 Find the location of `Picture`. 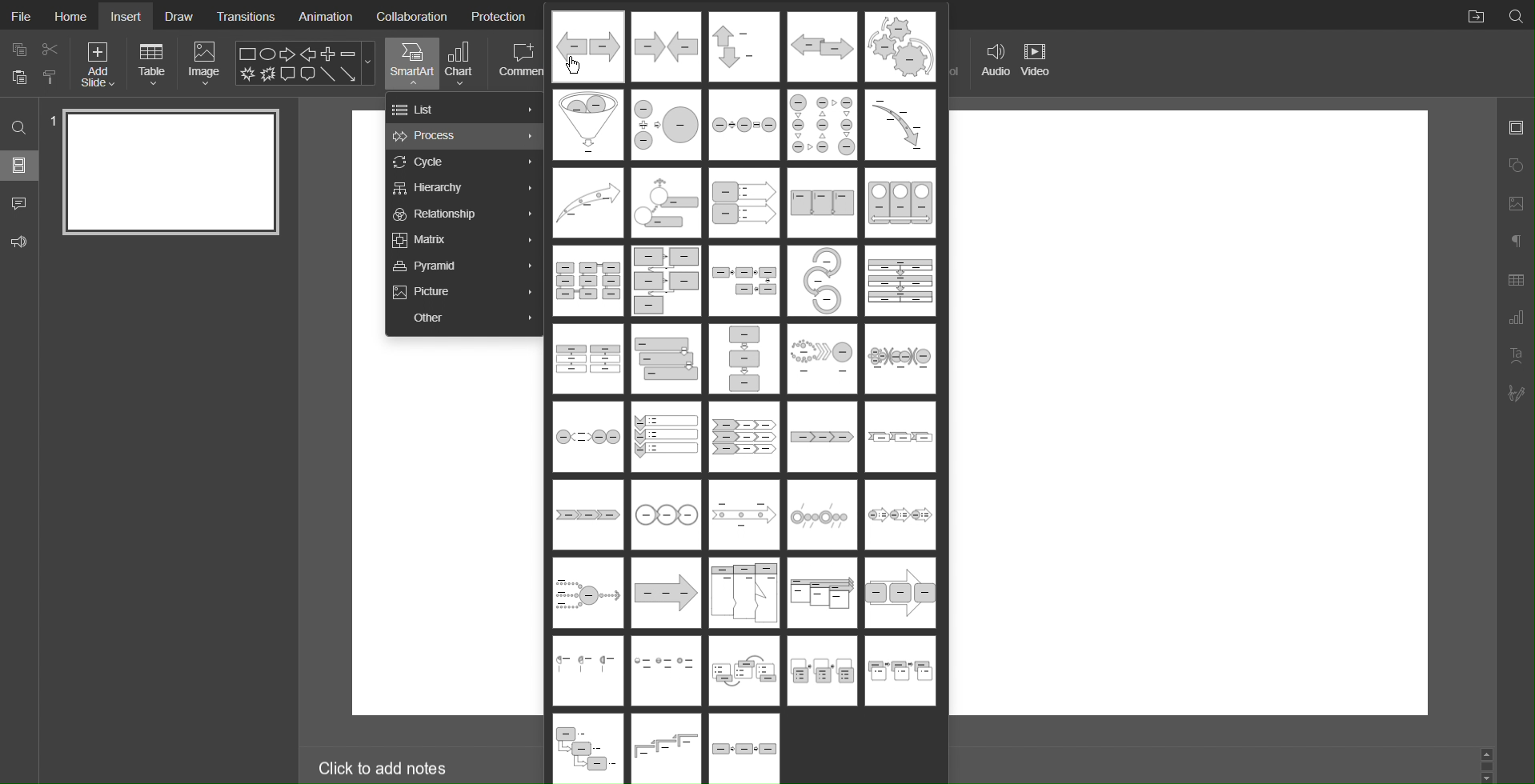

Picture is located at coordinates (463, 292).